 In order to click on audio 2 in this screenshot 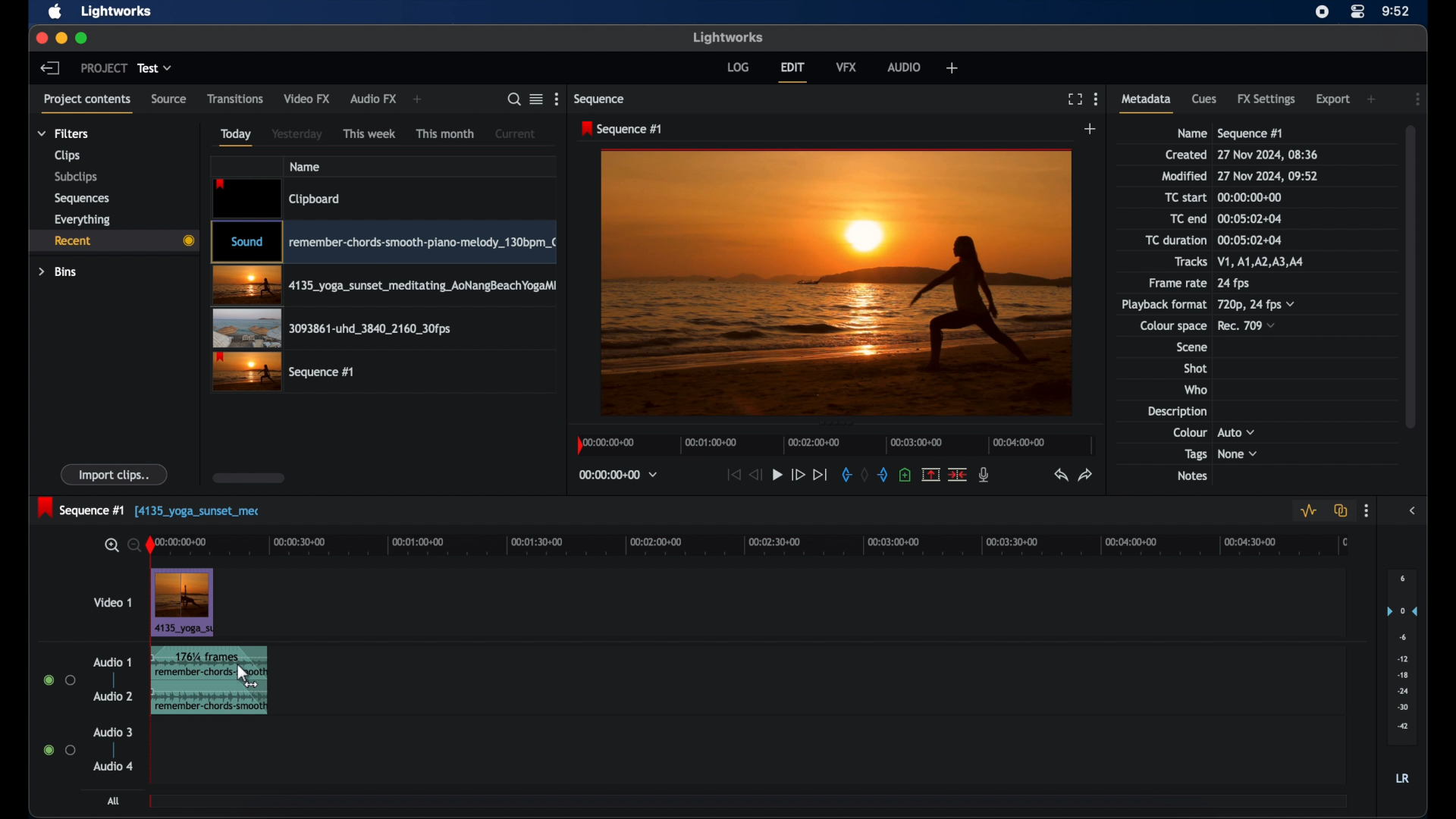, I will do `click(111, 696)`.